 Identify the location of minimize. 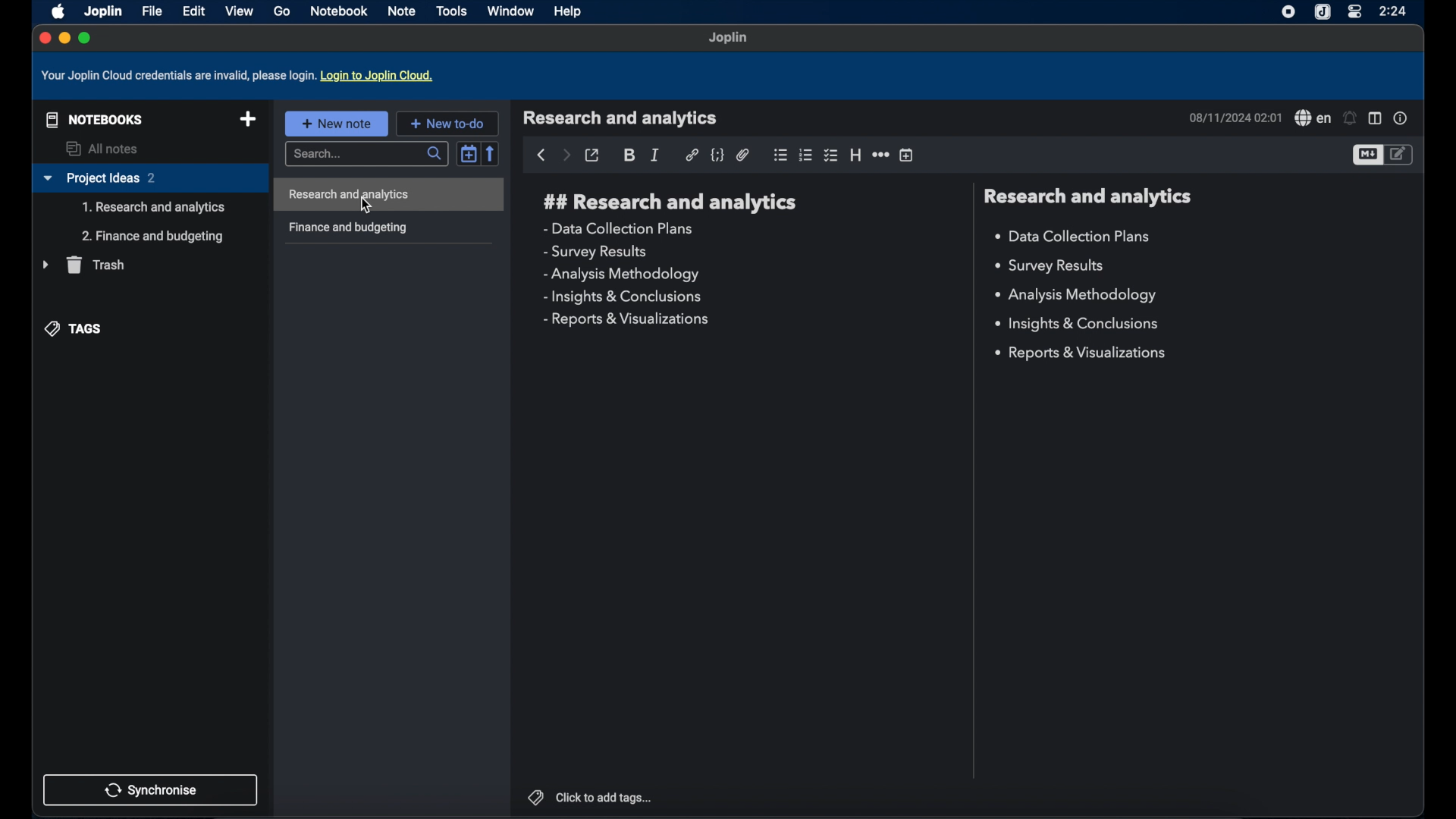
(64, 39).